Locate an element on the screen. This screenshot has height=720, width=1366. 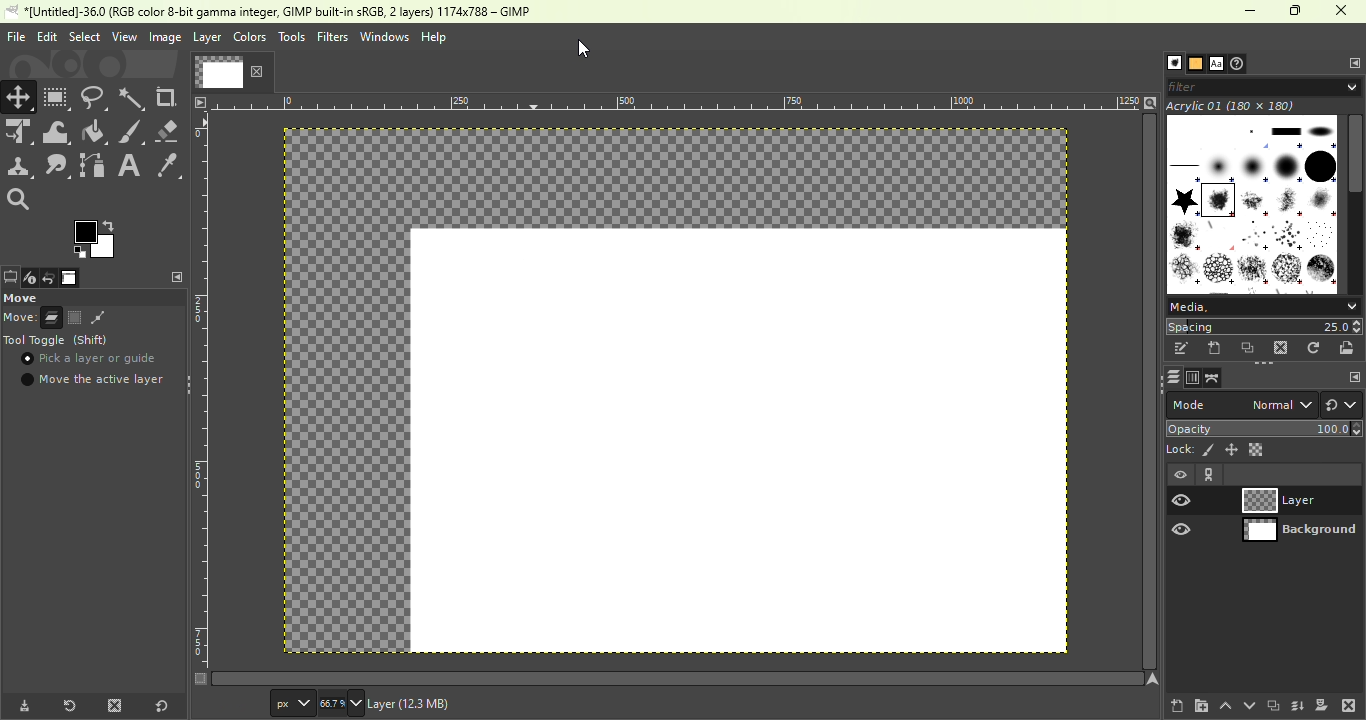
Channels is located at coordinates (1191, 378).